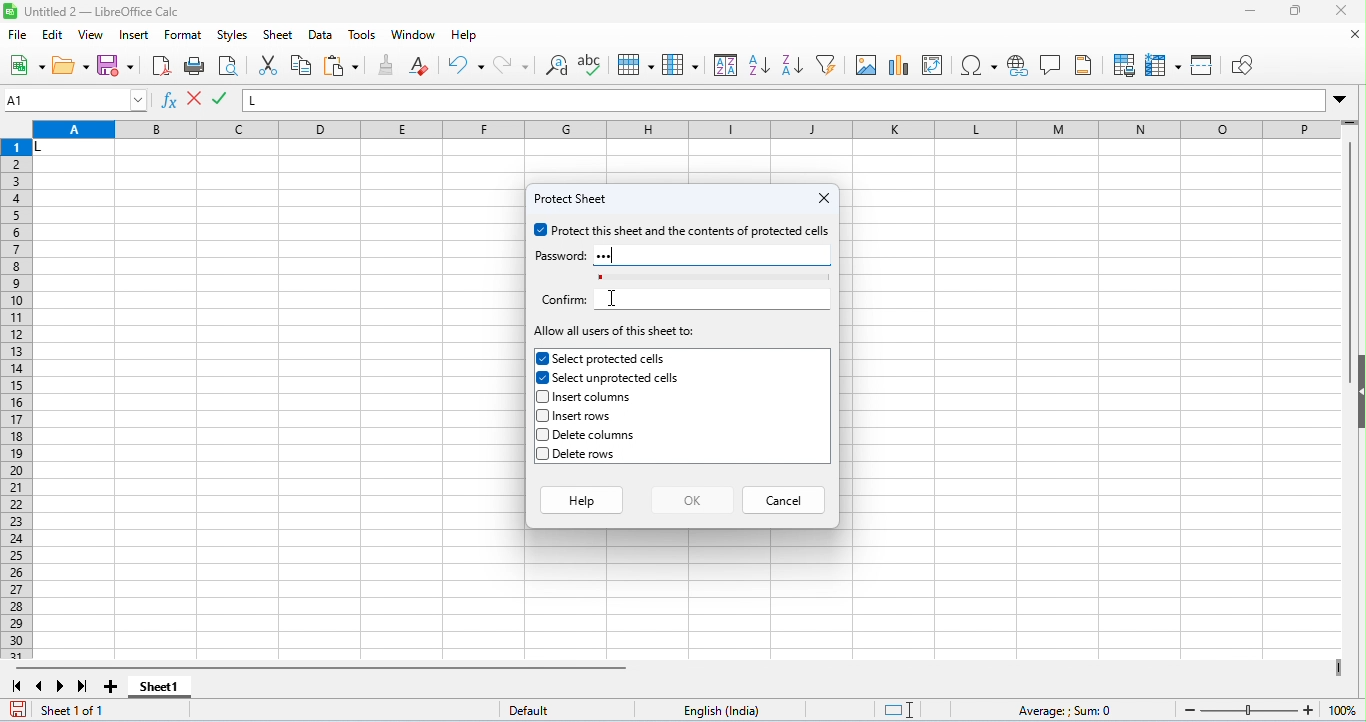 Image resolution: width=1366 pixels, height=722 pixels. Describe the element at coordinates (83, 686) in the screenshot. I see `last sheet` at that location.